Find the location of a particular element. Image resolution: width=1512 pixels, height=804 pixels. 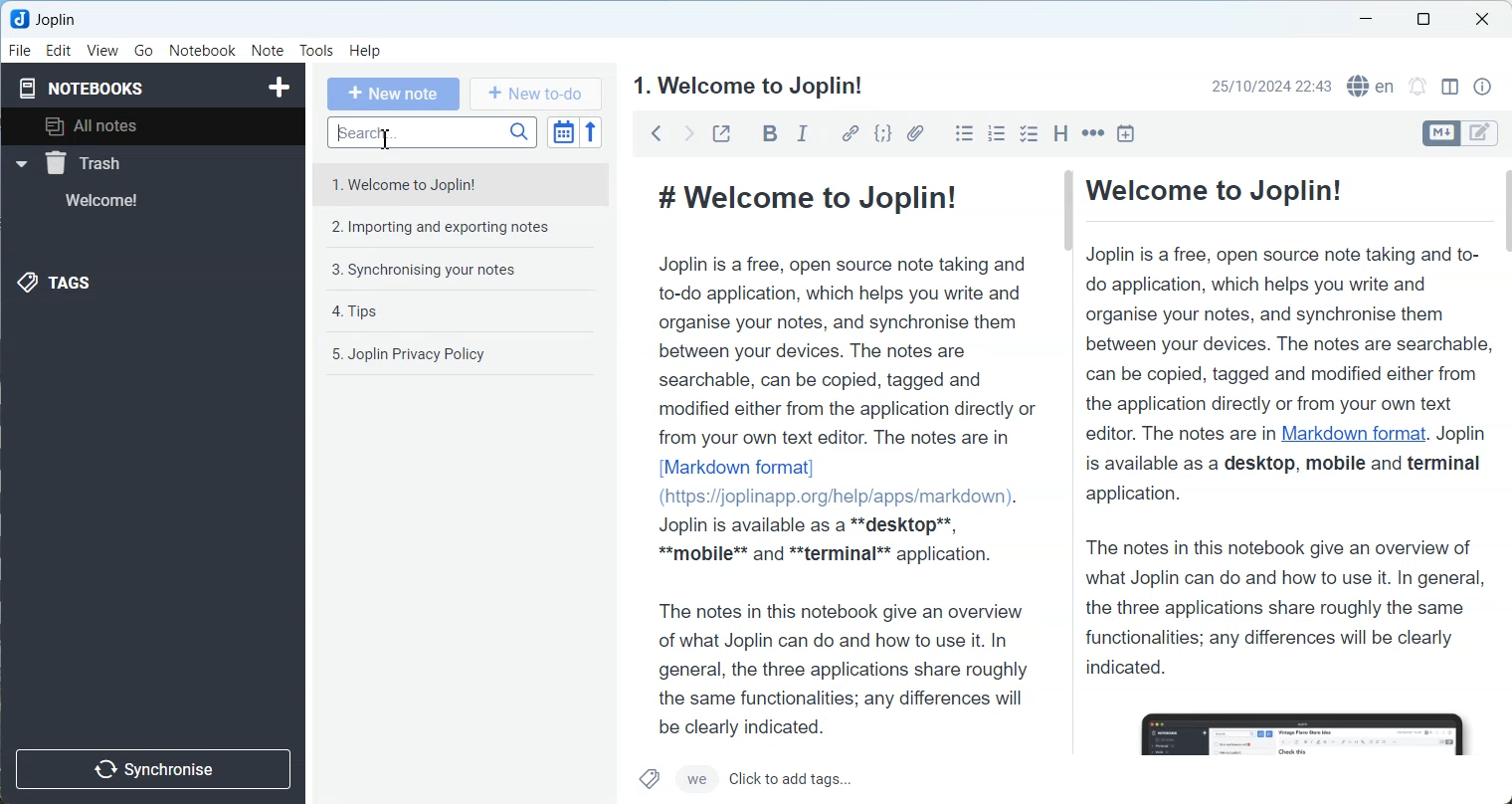

Notebook is located at coordinates (203, 50).